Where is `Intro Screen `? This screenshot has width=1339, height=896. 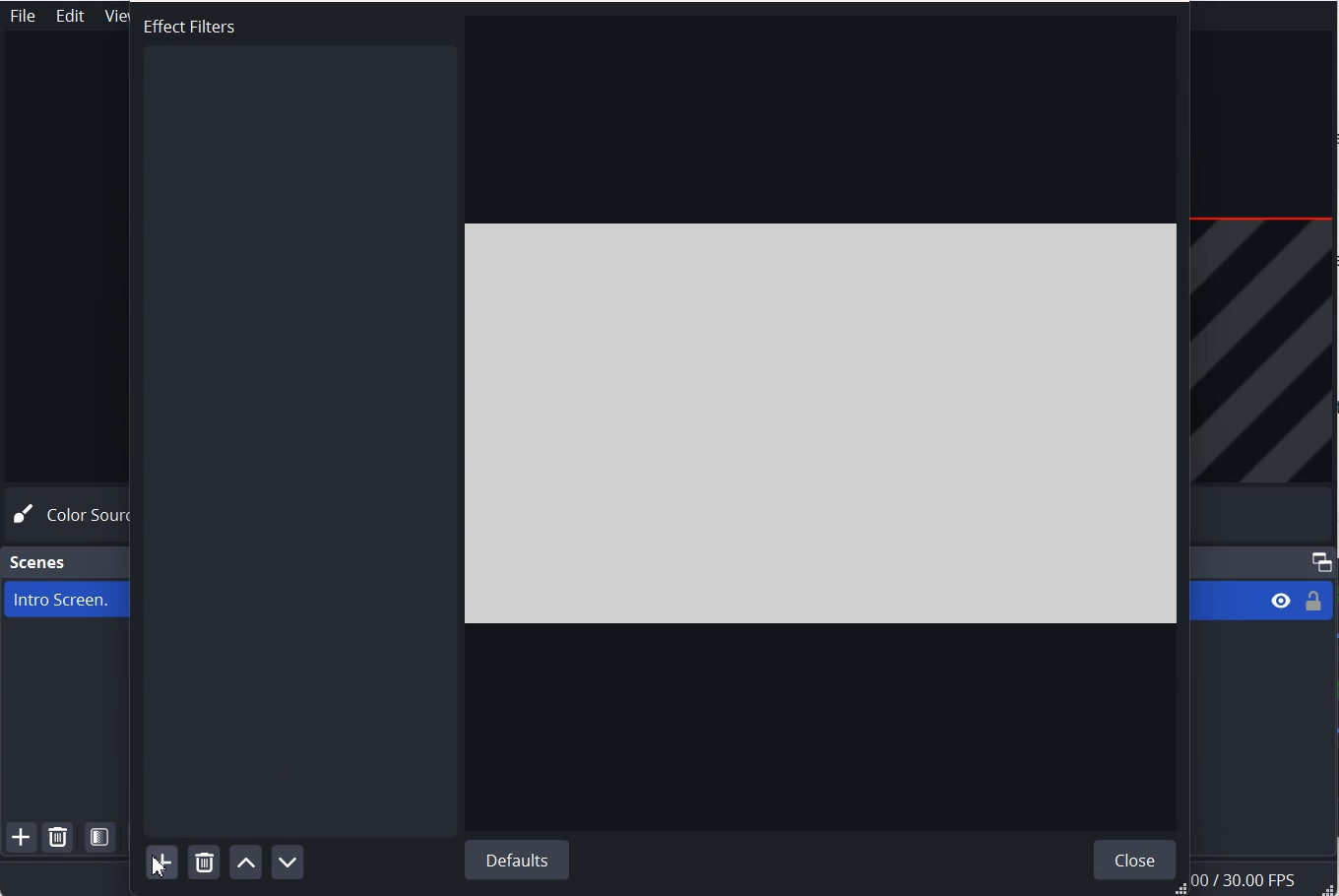
Intro Screen  is located at coordinates (62, 599).